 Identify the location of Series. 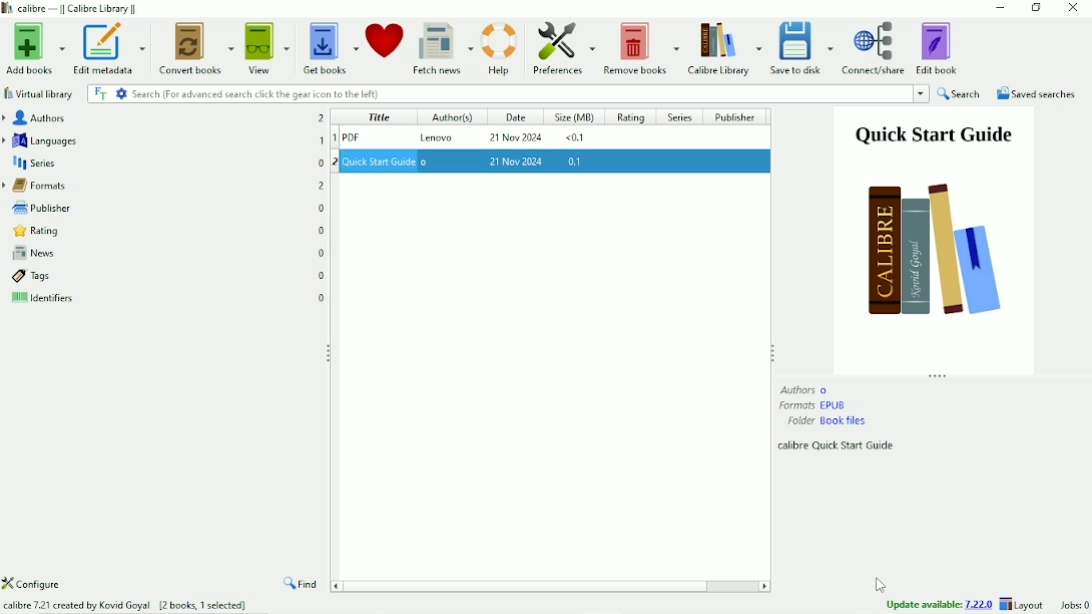
(164, 162).